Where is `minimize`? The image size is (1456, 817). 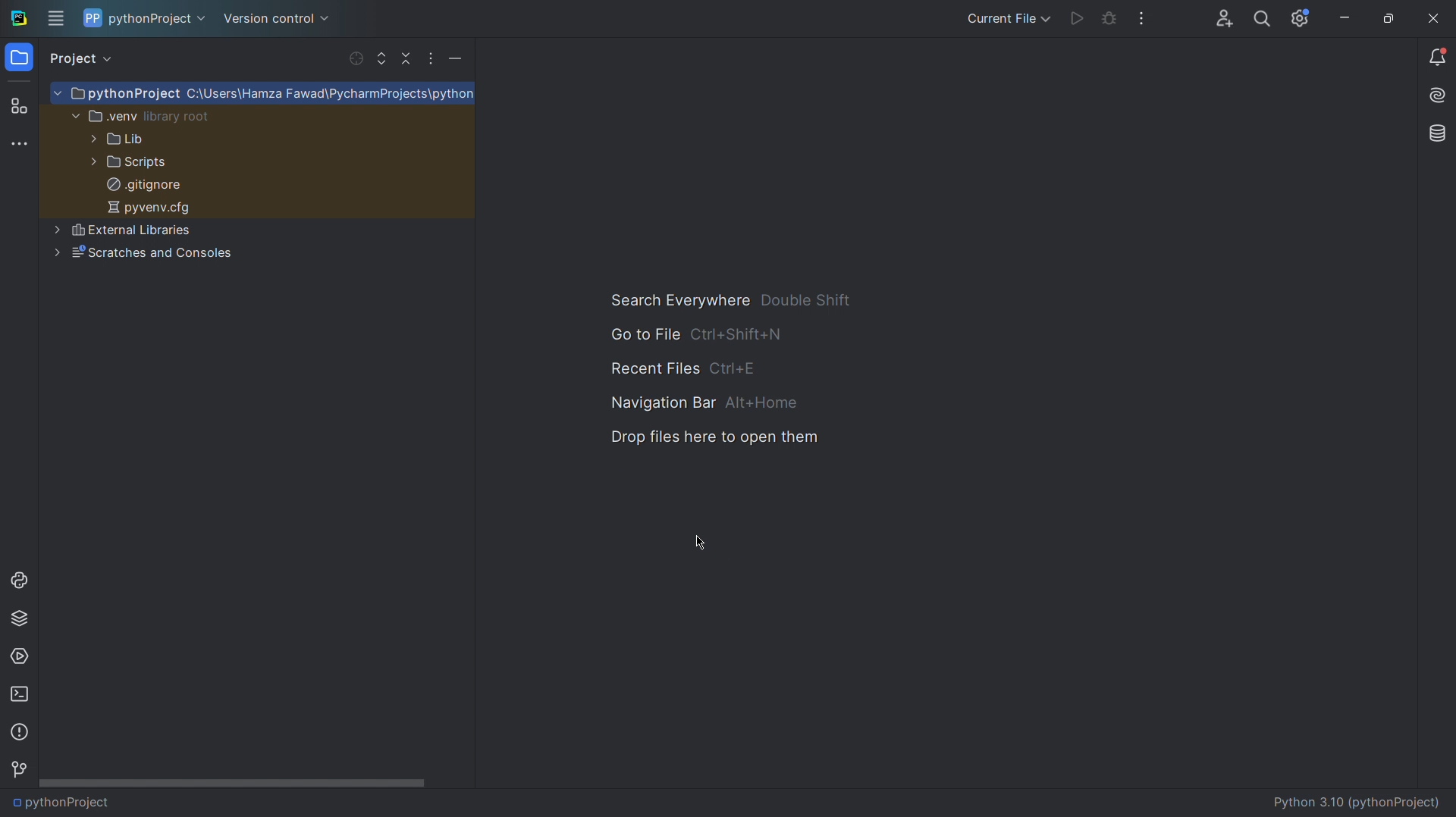
minimize is located at coordinates (1342, 22).